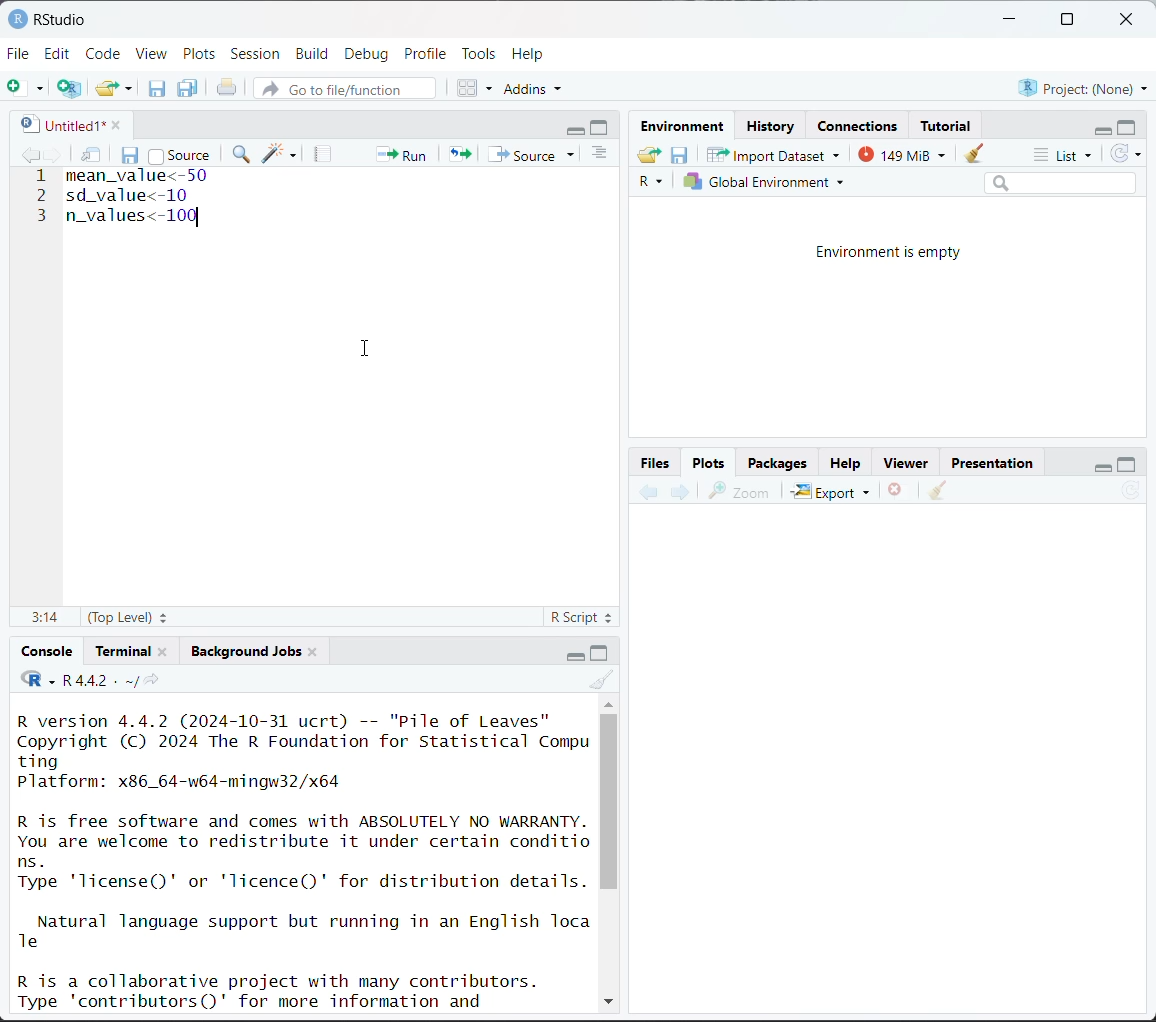 The height and width of the screenshot is (1022, 1156). Describe the element at coordinates (200, 53) in the screenshot. I see `Plots` at that location.